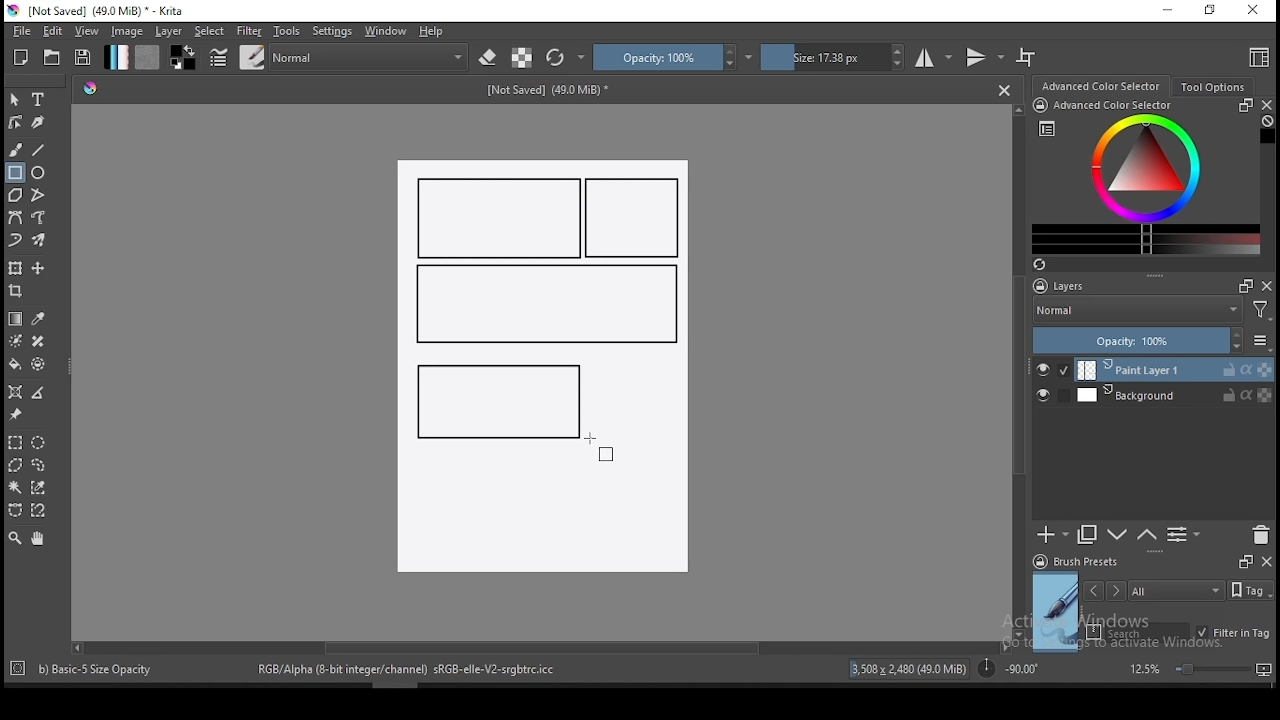  What do you see at coordinates (36, 539) in the screenshot?
I see `pan tool` at bounding box center [36, 539].